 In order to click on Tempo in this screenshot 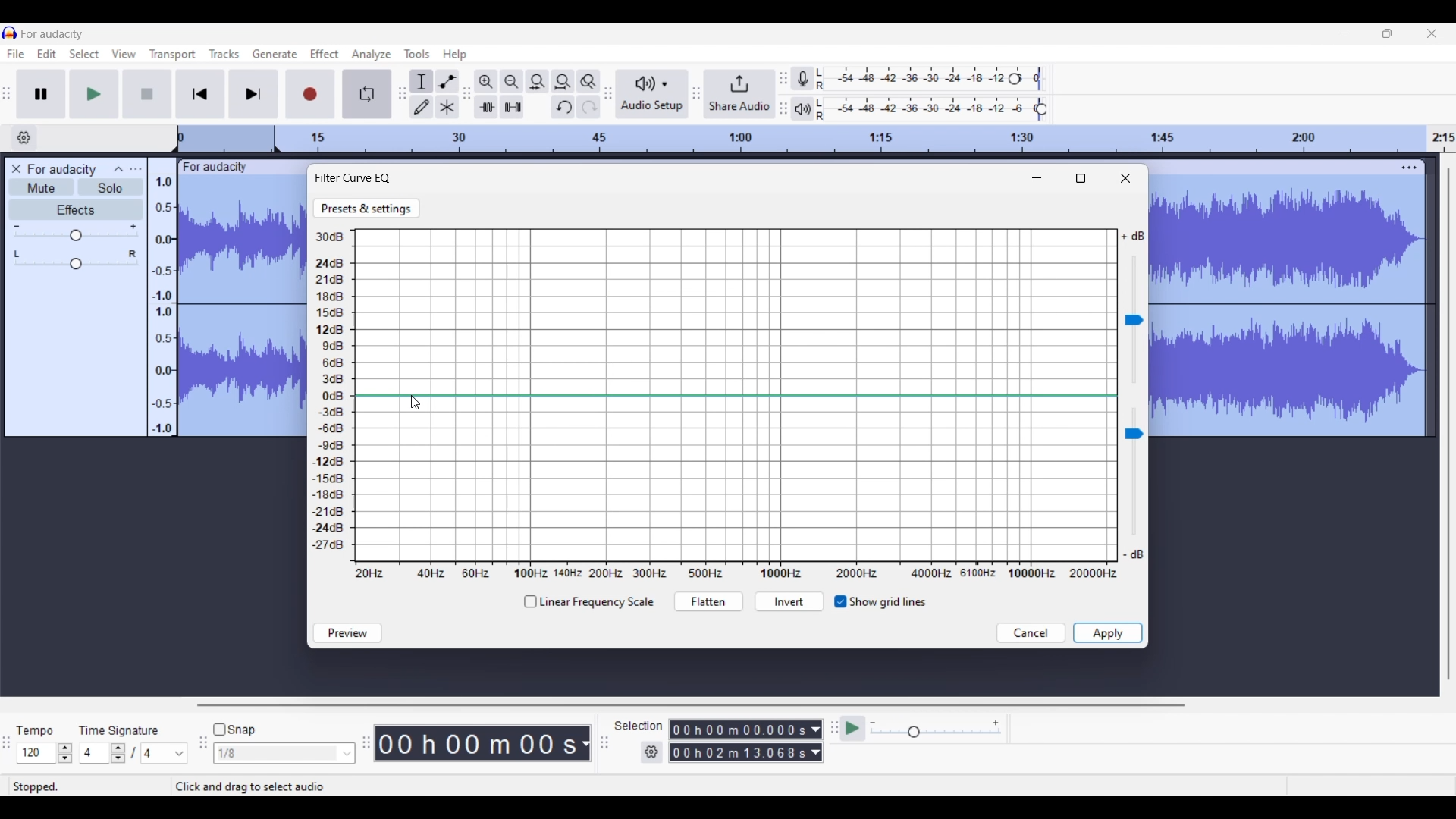, I will do `click(36, 729)`.